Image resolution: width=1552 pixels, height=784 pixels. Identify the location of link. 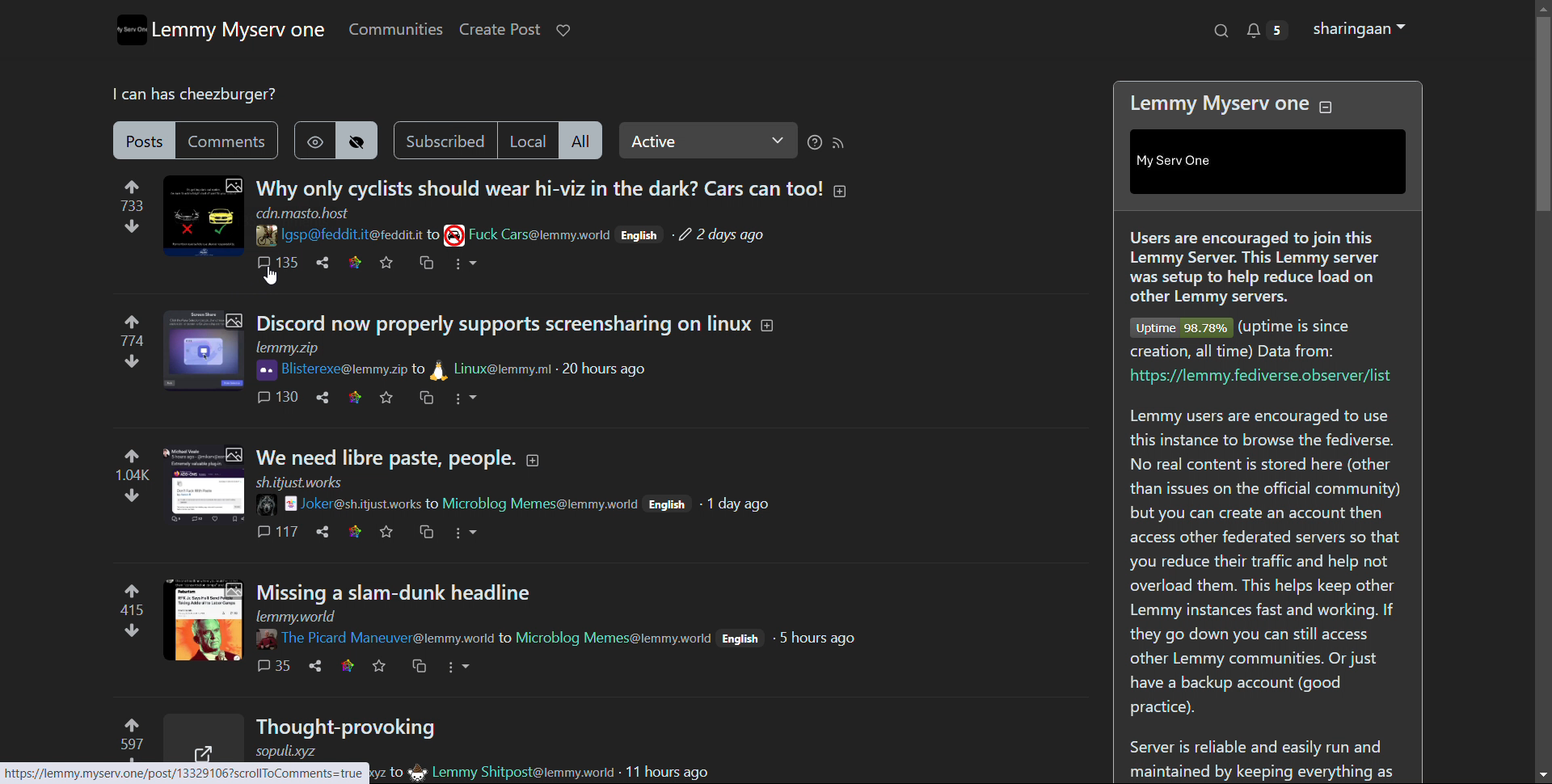
(348, 666).